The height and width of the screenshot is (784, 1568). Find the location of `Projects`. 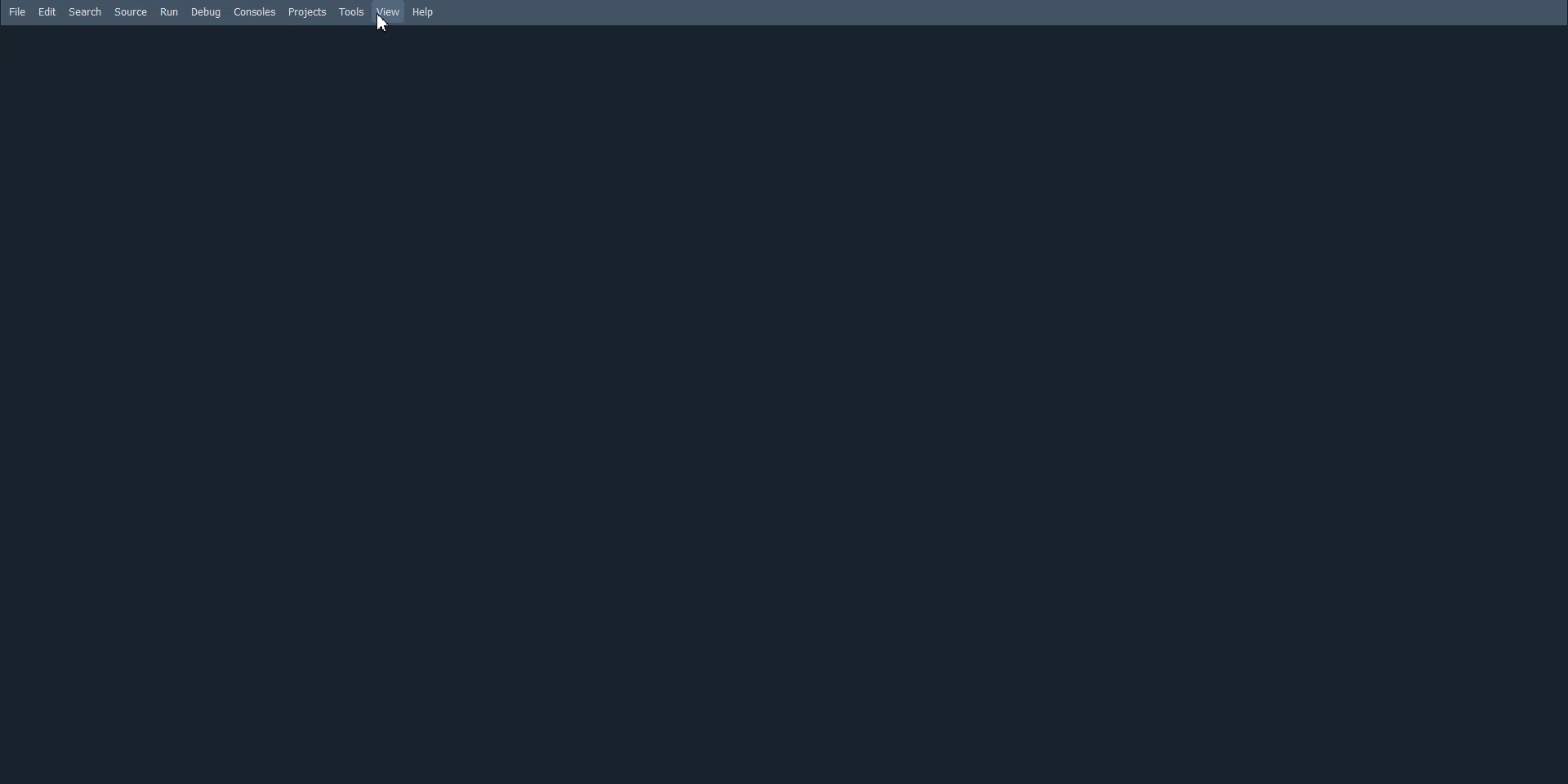

Projects is located at coordinates (307, 12).